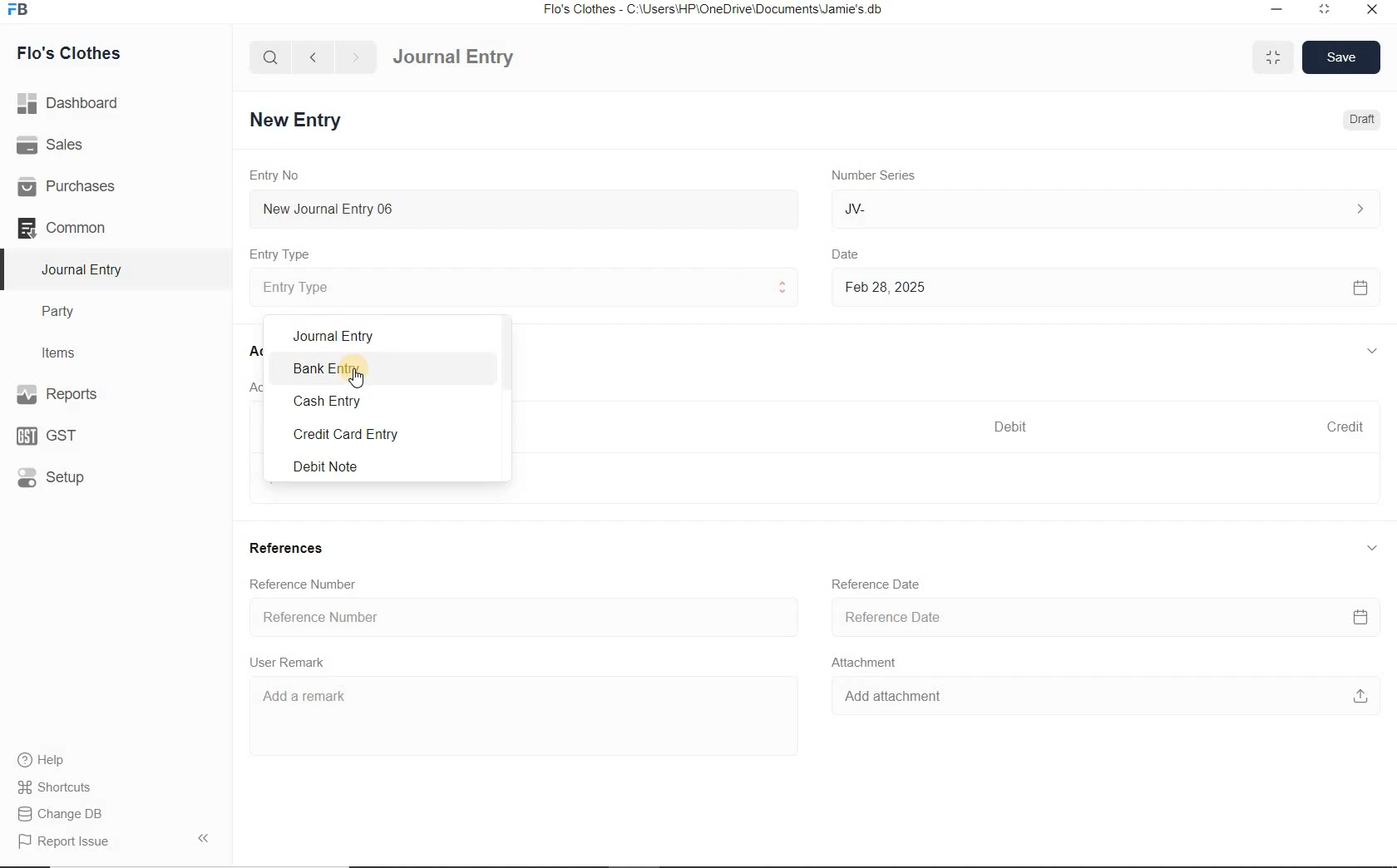 The width and height of the screenshot is (1397, 868). I want to click on Add a remark, so click(508, 702).